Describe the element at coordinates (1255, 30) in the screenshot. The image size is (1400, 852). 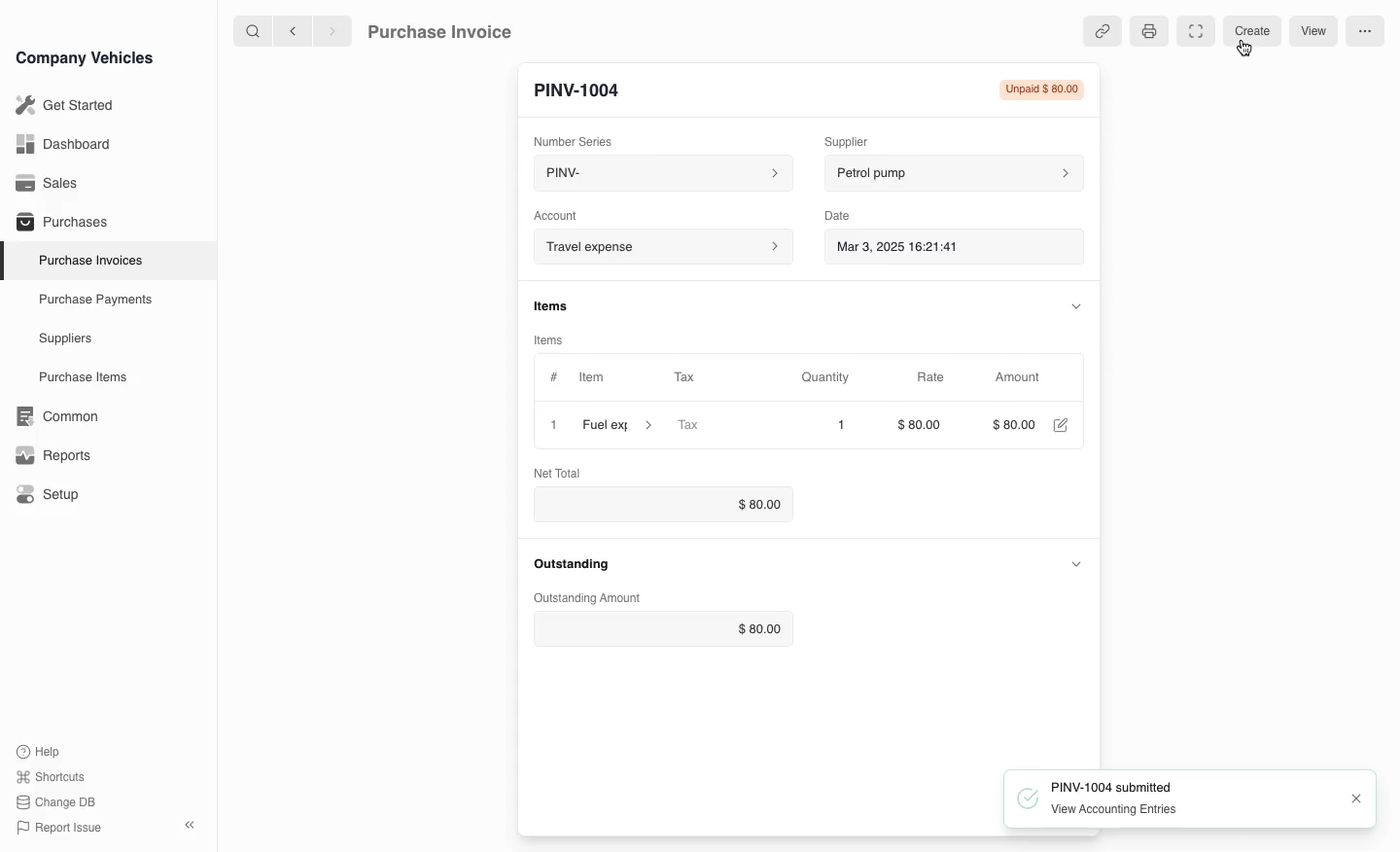
I see `create` at that location.